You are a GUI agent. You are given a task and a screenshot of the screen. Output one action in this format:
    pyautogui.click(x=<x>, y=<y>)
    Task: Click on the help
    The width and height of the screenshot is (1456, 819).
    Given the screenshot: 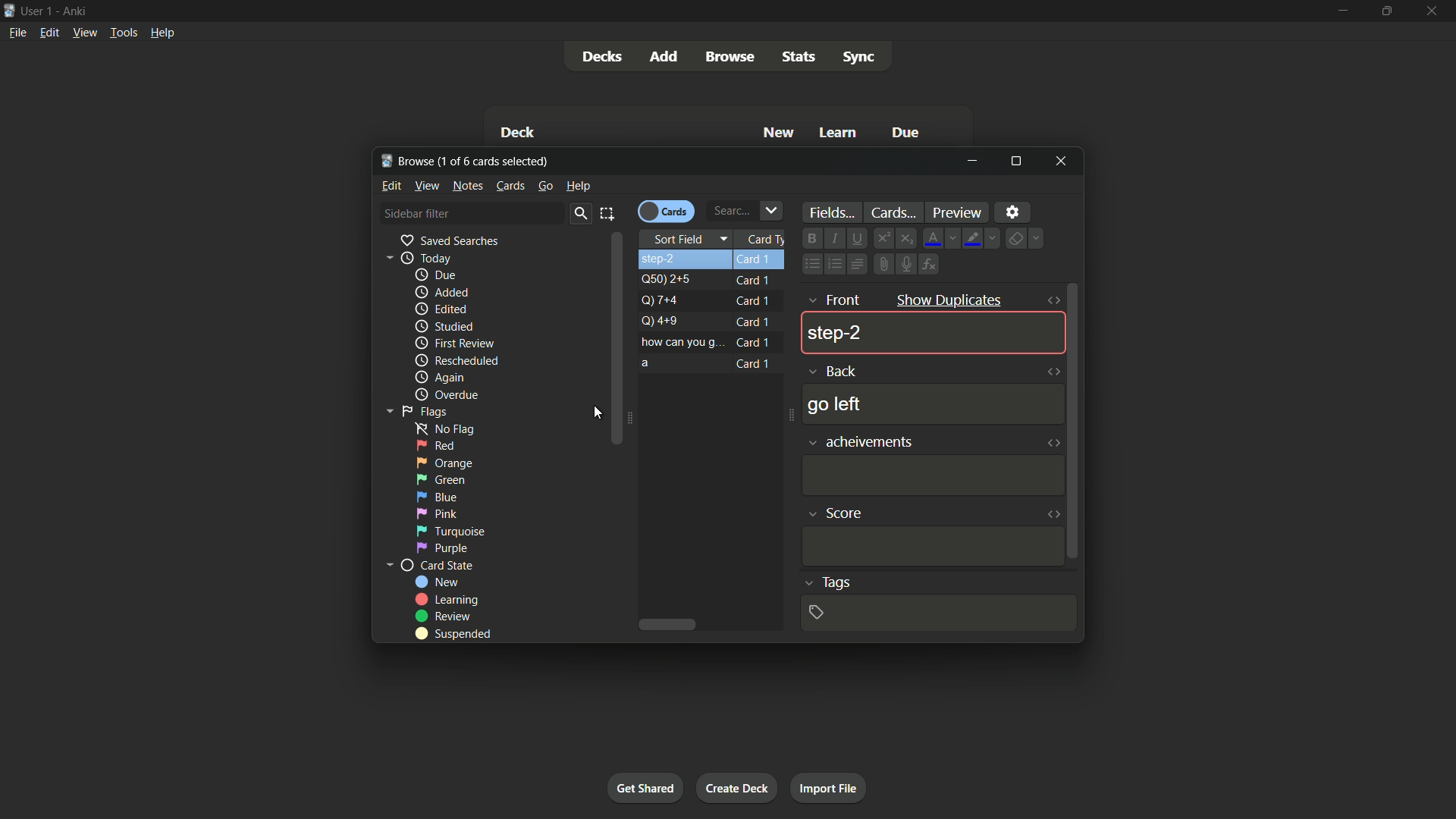 What is the action you would take?
    pyautogui.click(x=578, y=185)
    